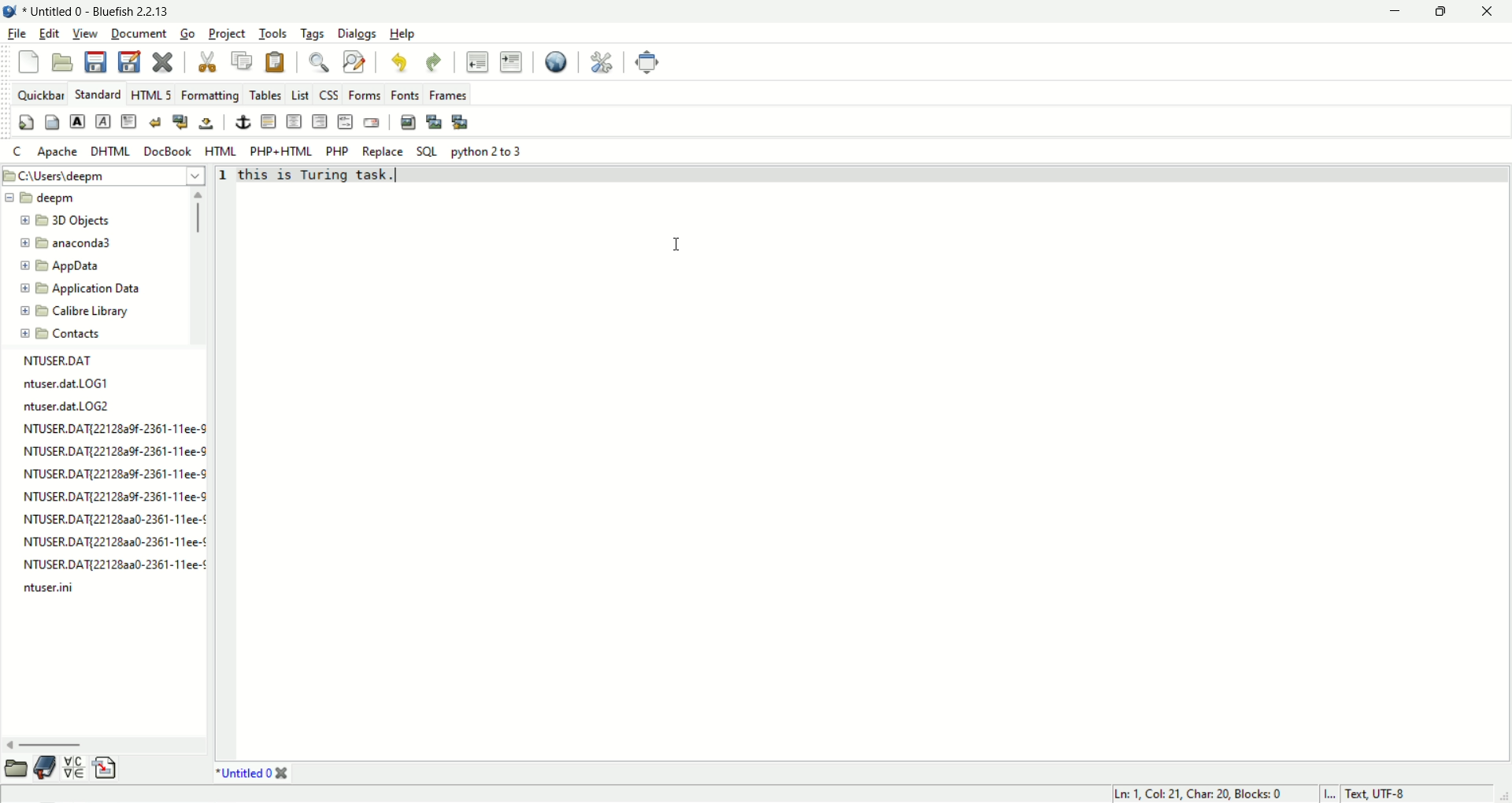 The height and width of the screenshot is (803, 1512). What do you see at coordinates (83, 310) in the screenshot?
I see `folder name` at bounding box center [83, 310].